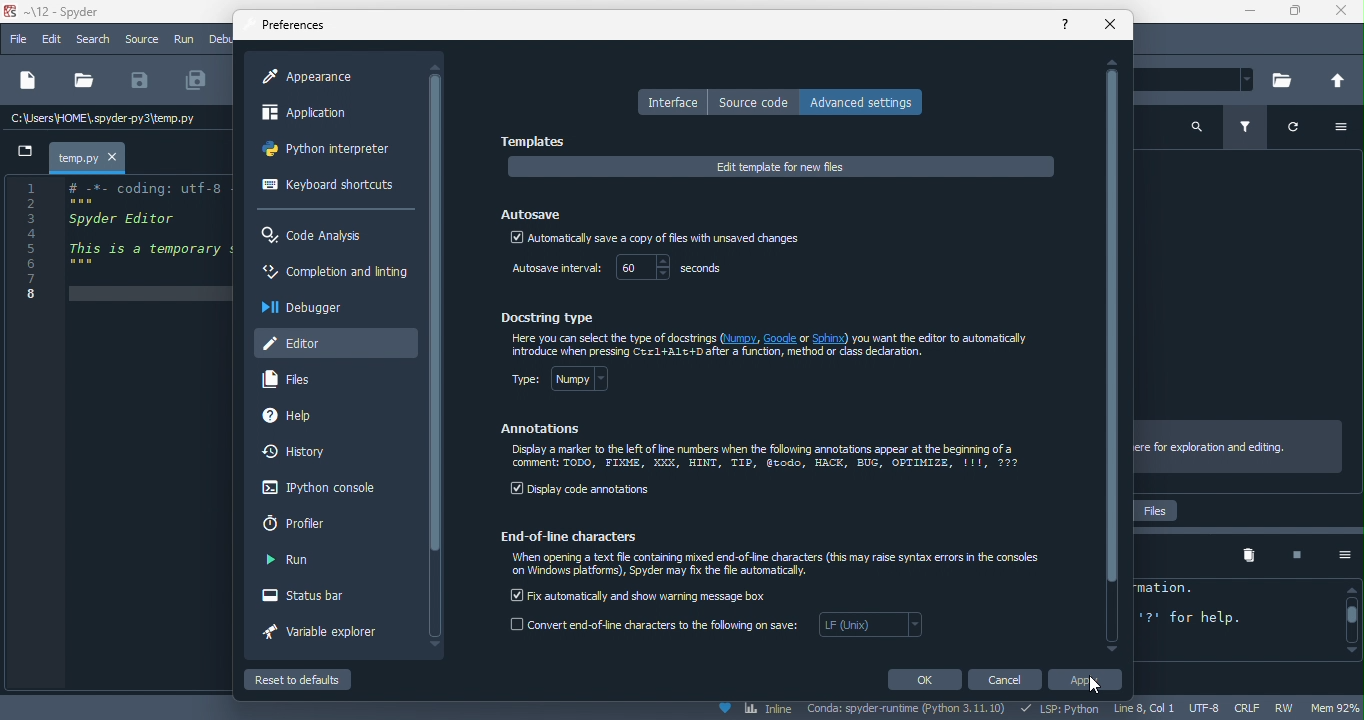 The height and width of the screenshot is (720, 1364). I want to click on ok, so click(923, 679).